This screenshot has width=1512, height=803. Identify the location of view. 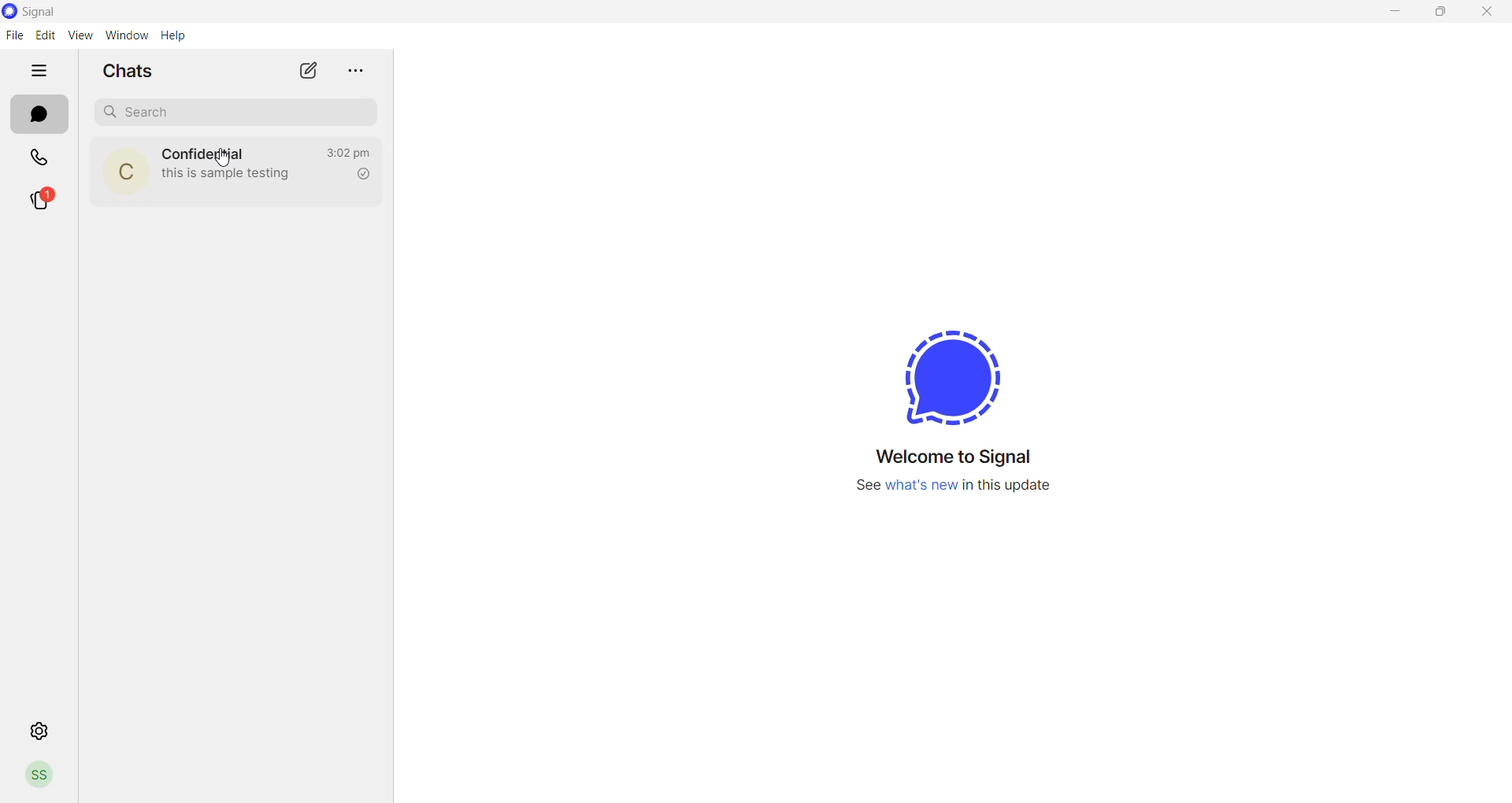
(79, 35).